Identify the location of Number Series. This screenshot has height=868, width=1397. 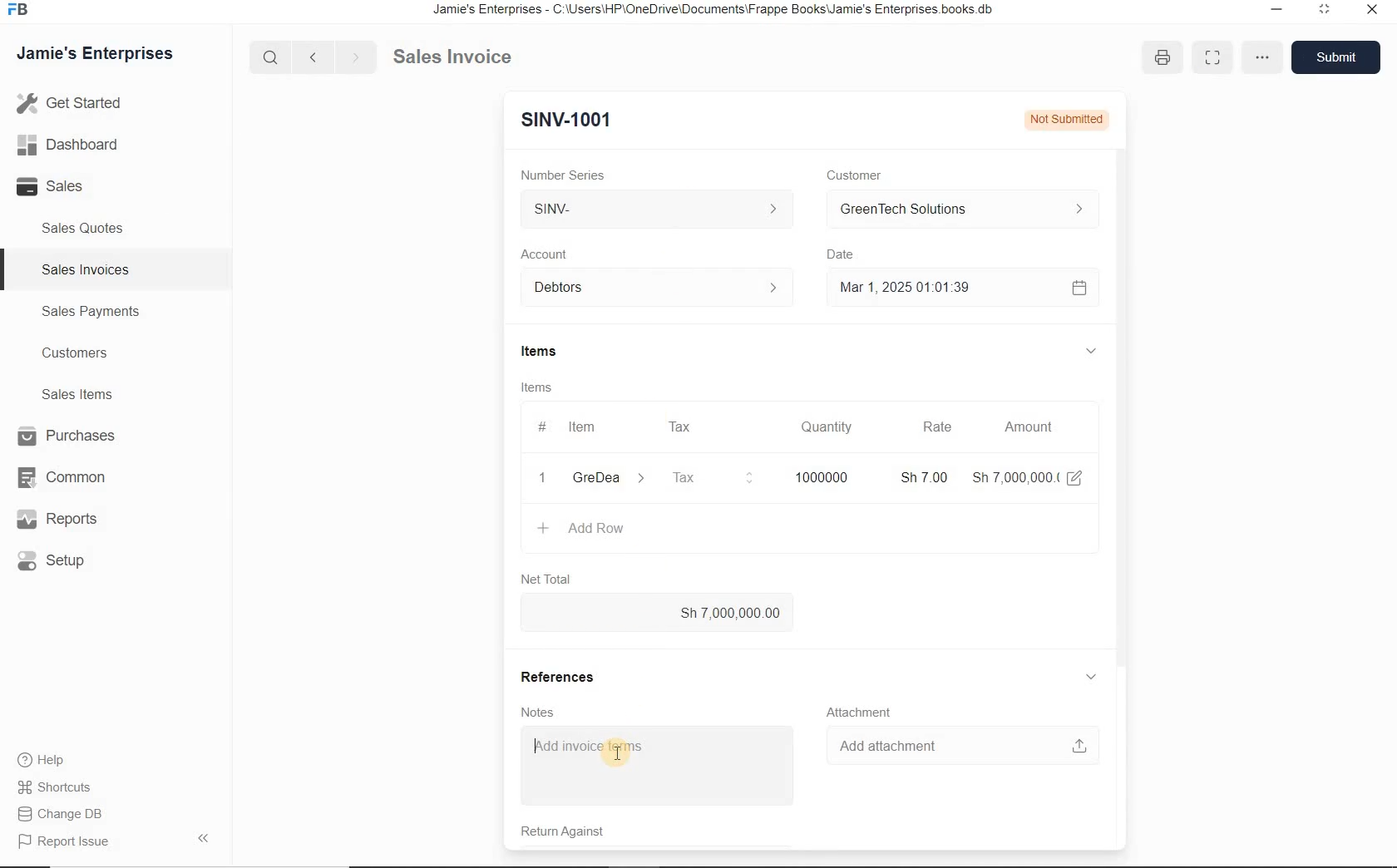
(559, 172).